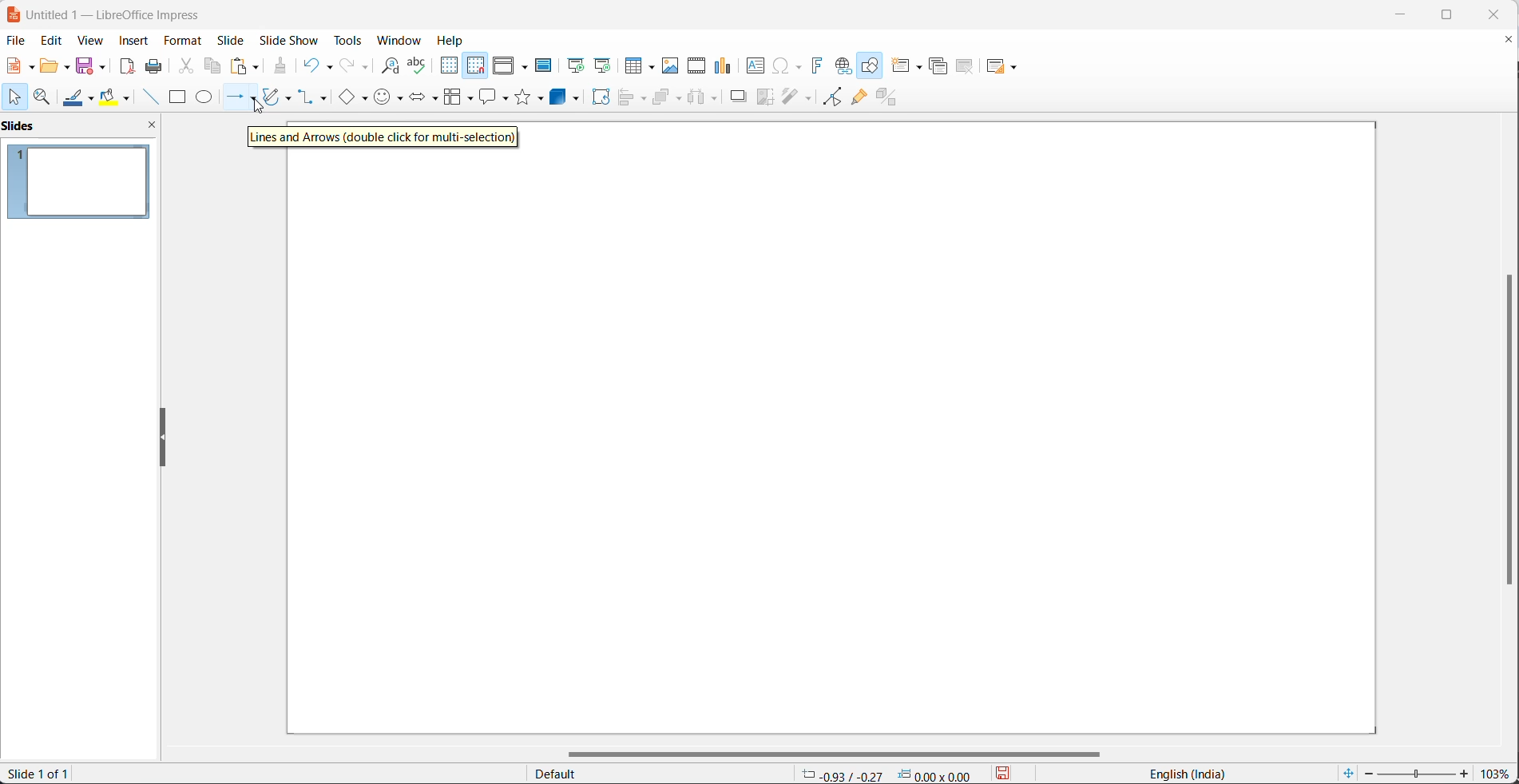  What do you see at coordinates (871, 65) in the screenshot?
I see `show draw functions` at bounding box center [871, 65].